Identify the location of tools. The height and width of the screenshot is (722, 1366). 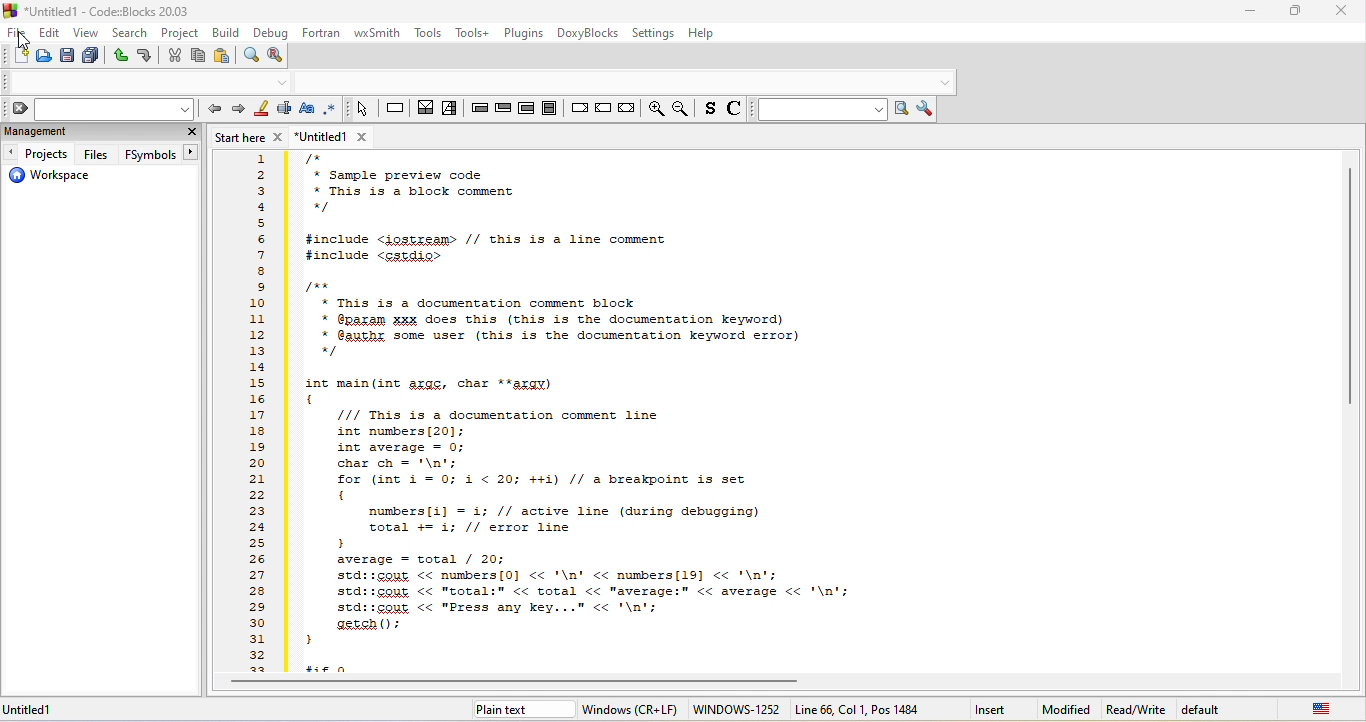
(428, 33).